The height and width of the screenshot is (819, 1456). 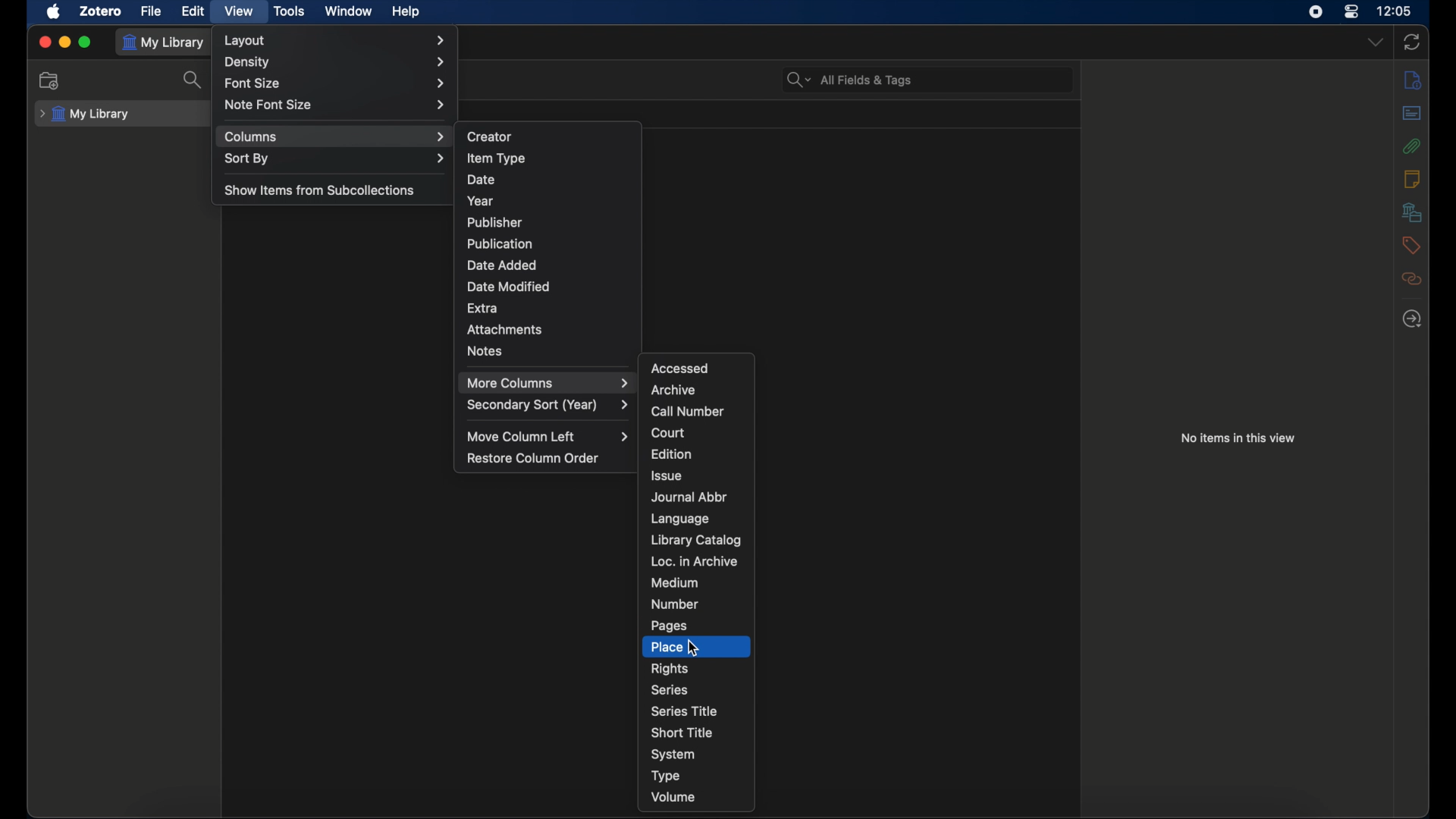 I want to click on publication, so click(x=499, y=243).